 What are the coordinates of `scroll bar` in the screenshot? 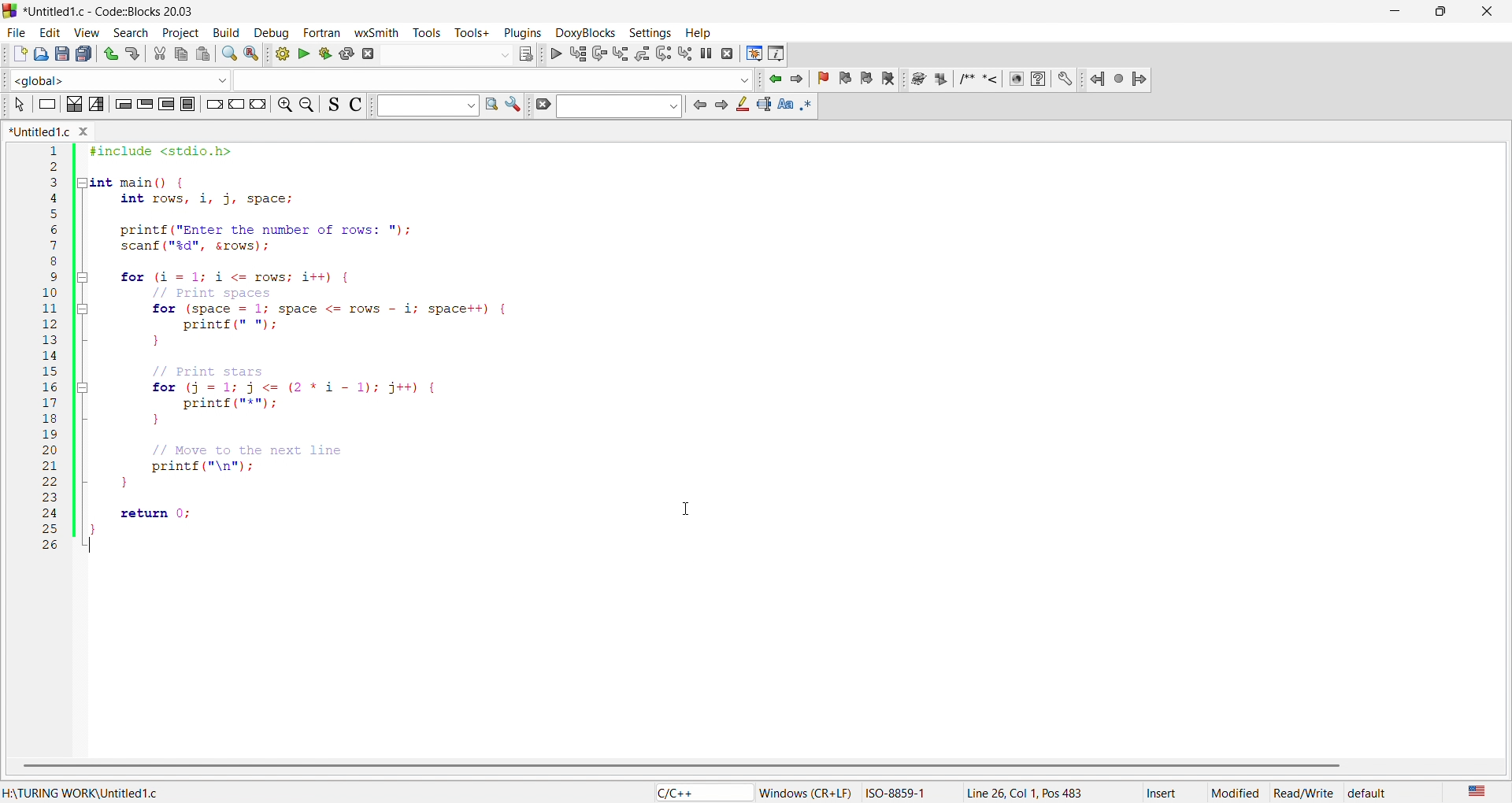 It's located at (746, 766).